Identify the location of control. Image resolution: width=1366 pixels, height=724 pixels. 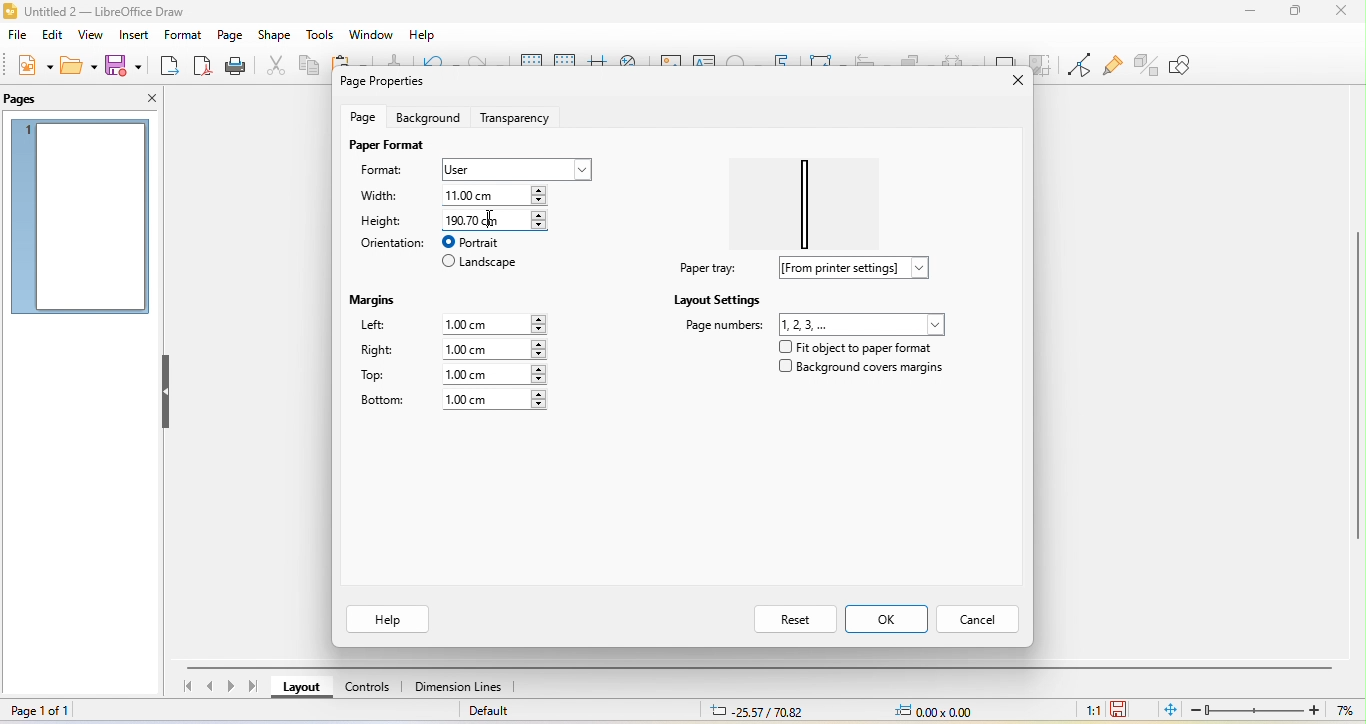
(368, 690).